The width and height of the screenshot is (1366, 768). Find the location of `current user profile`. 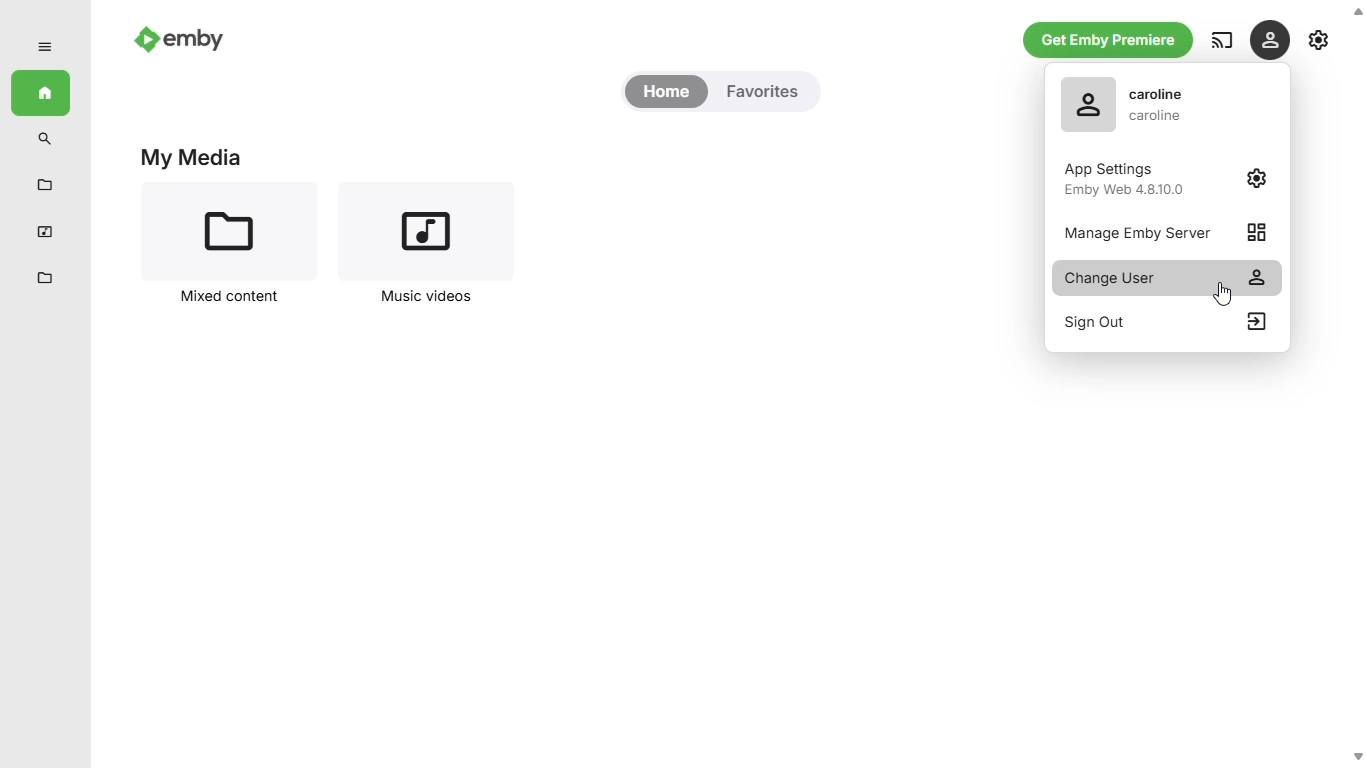

current user profile is located at coordinates (1129, 104).